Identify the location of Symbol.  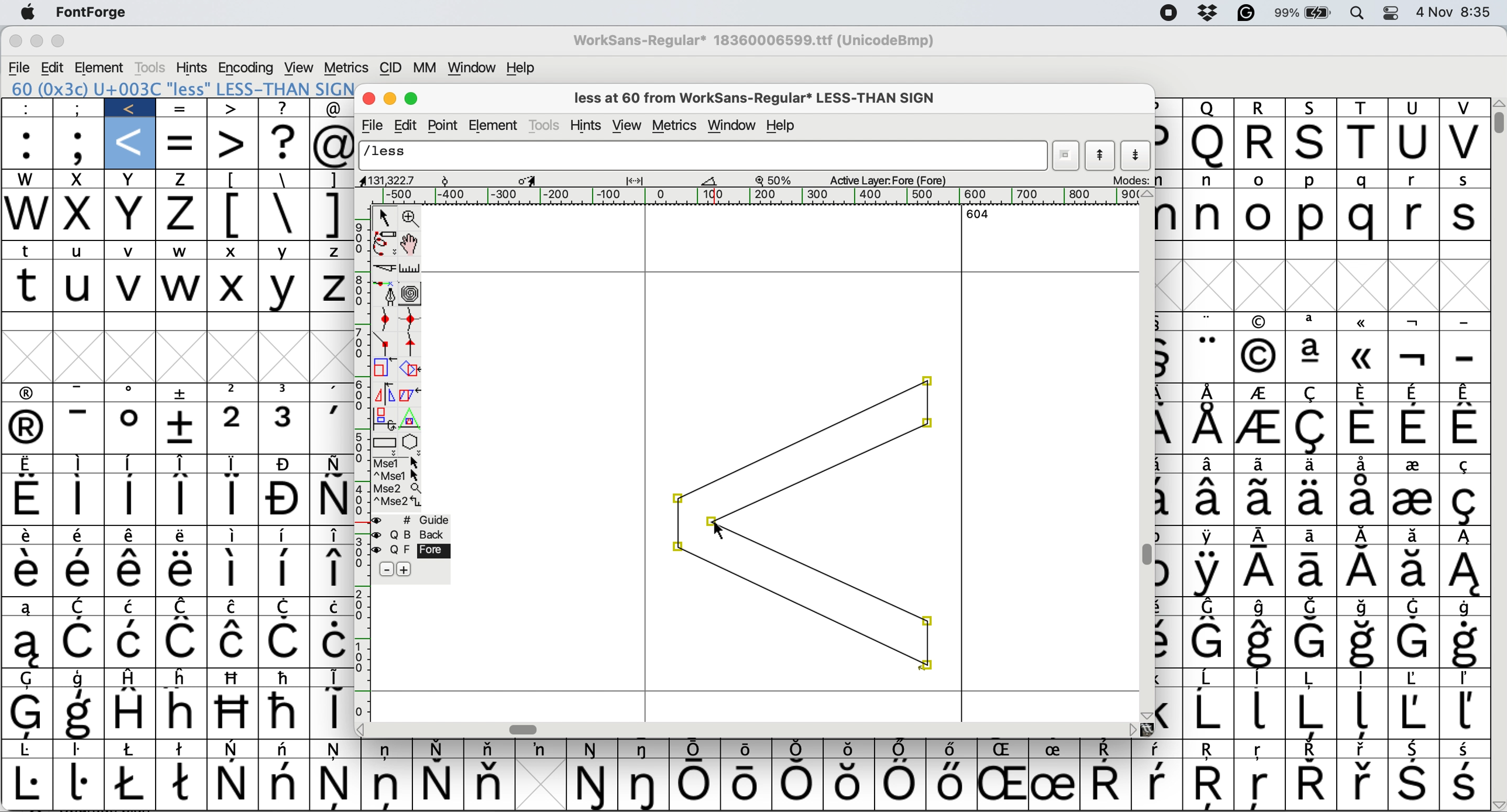
(285, 713).